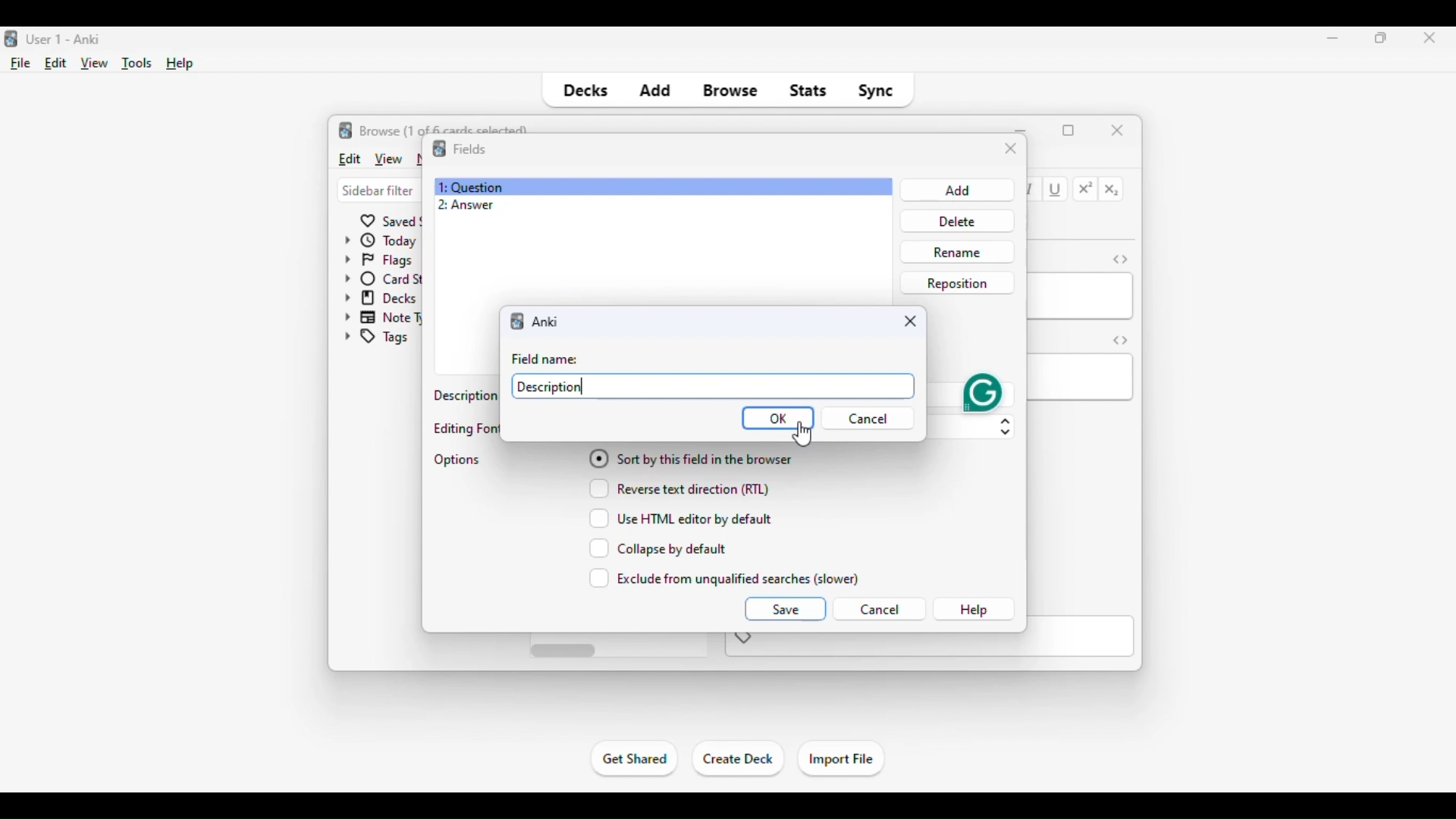  What do you see at coordinates (346, 130) in the screenshot?
I see `logo` at bounding box center [346, 130].